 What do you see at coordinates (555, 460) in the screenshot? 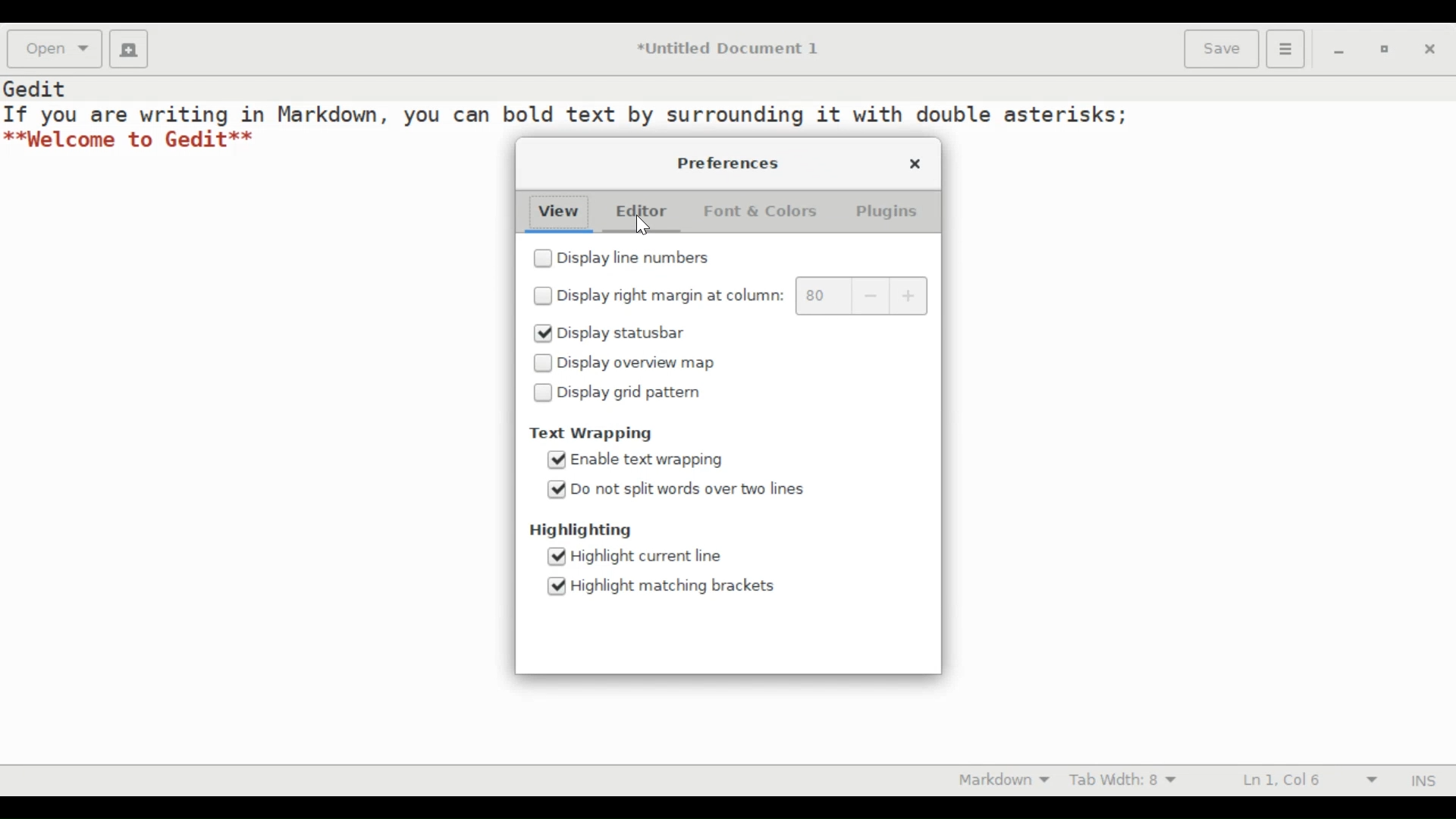
I see `Checked Checkbox` at bounding box center [555, 460].